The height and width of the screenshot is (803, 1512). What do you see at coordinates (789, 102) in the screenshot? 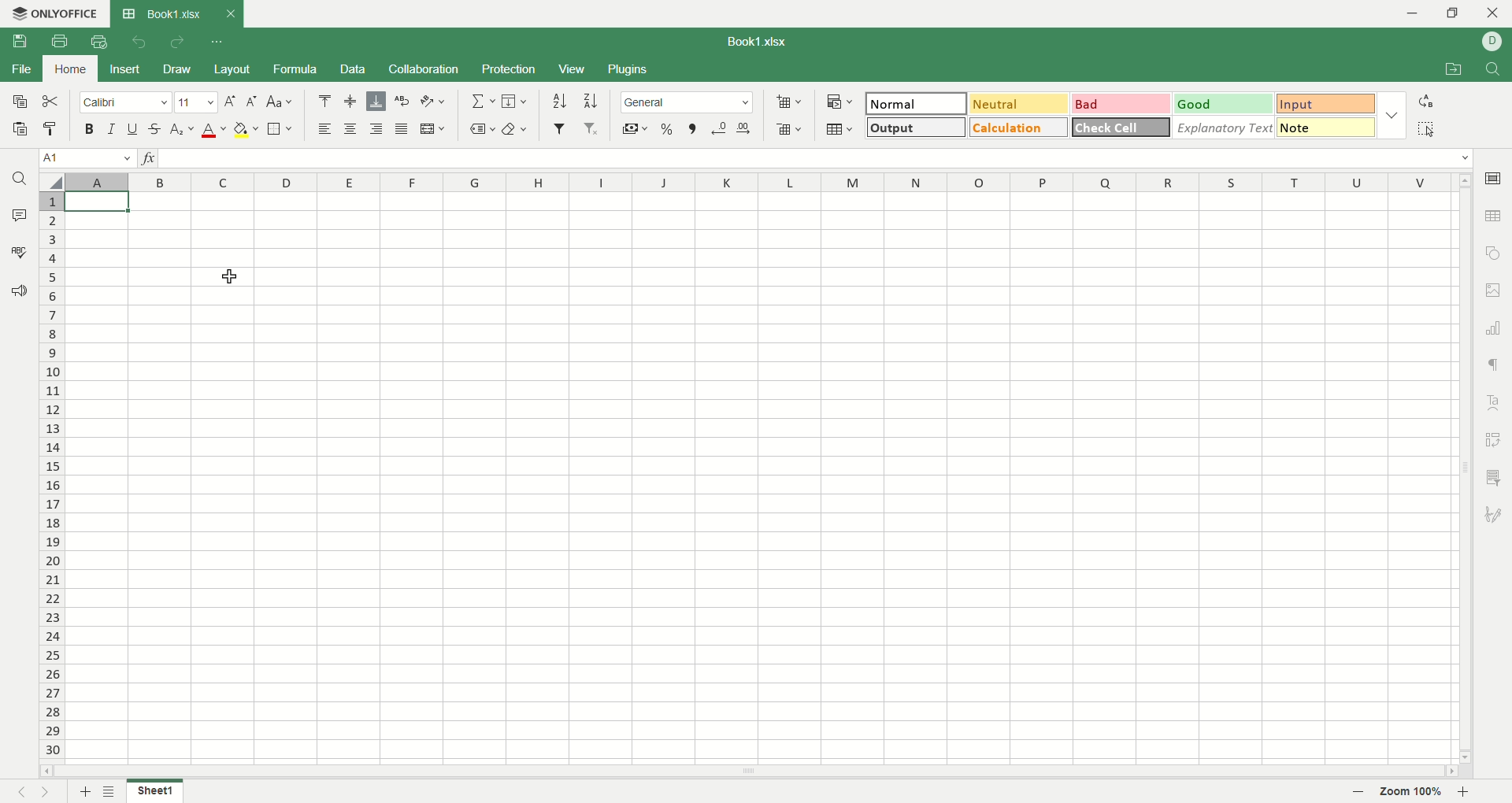
I see `add cell` at bounding box center [789, 102].